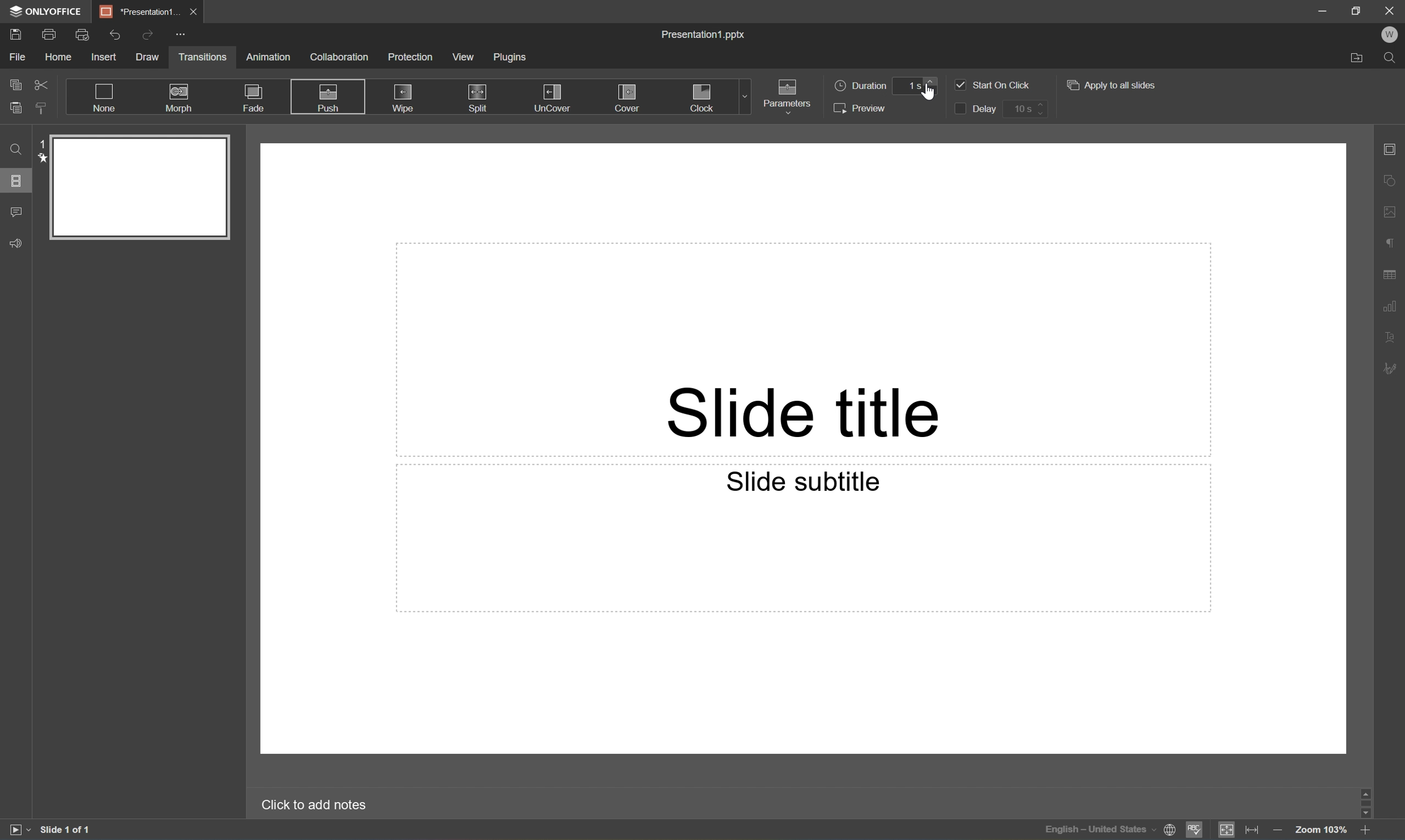  What do you see at coordinates (48, 33) in the screenshot?
I see `Print file` at bounding box center [48, 33].